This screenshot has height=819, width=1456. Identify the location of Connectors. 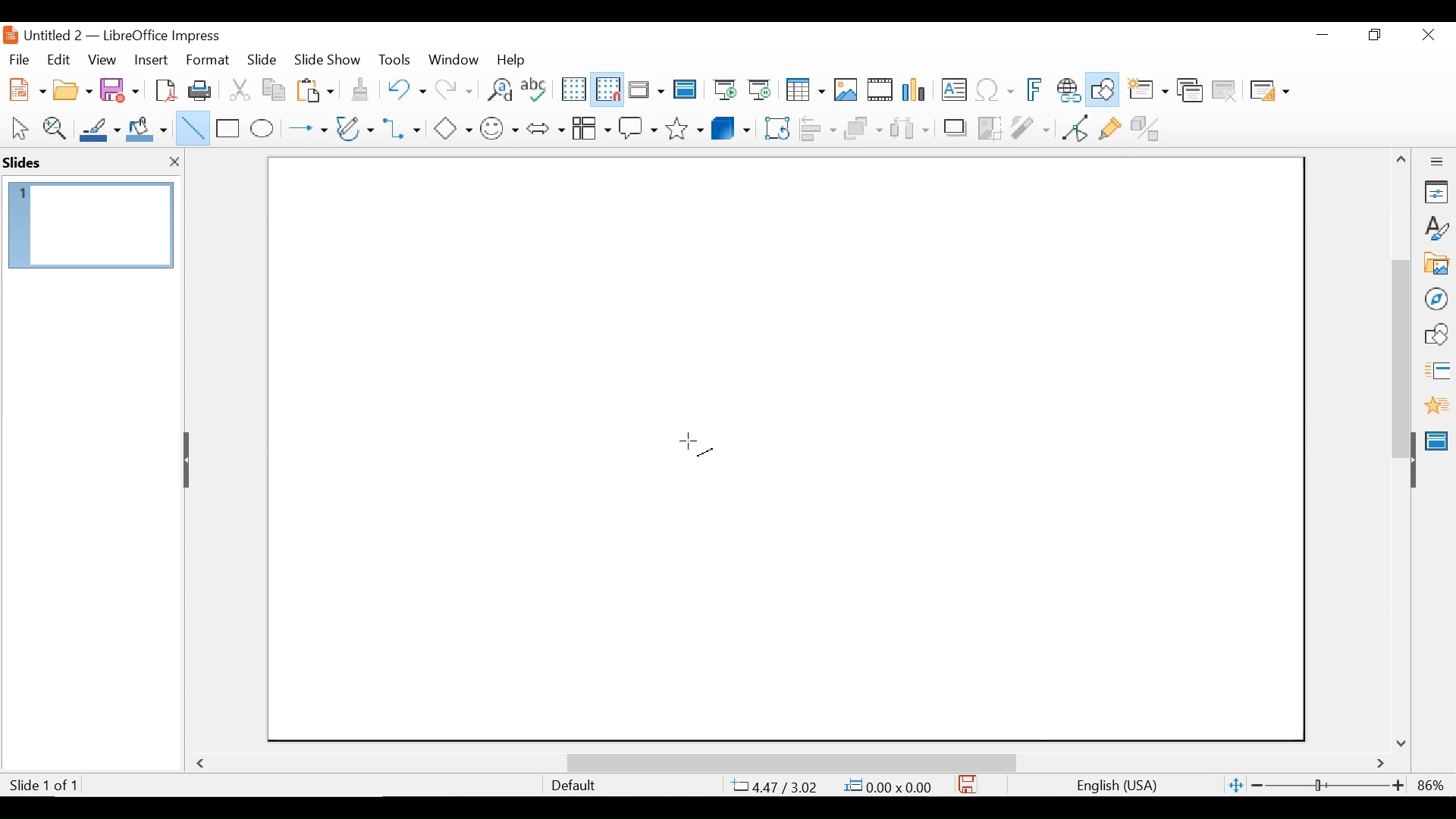
(403, 128).